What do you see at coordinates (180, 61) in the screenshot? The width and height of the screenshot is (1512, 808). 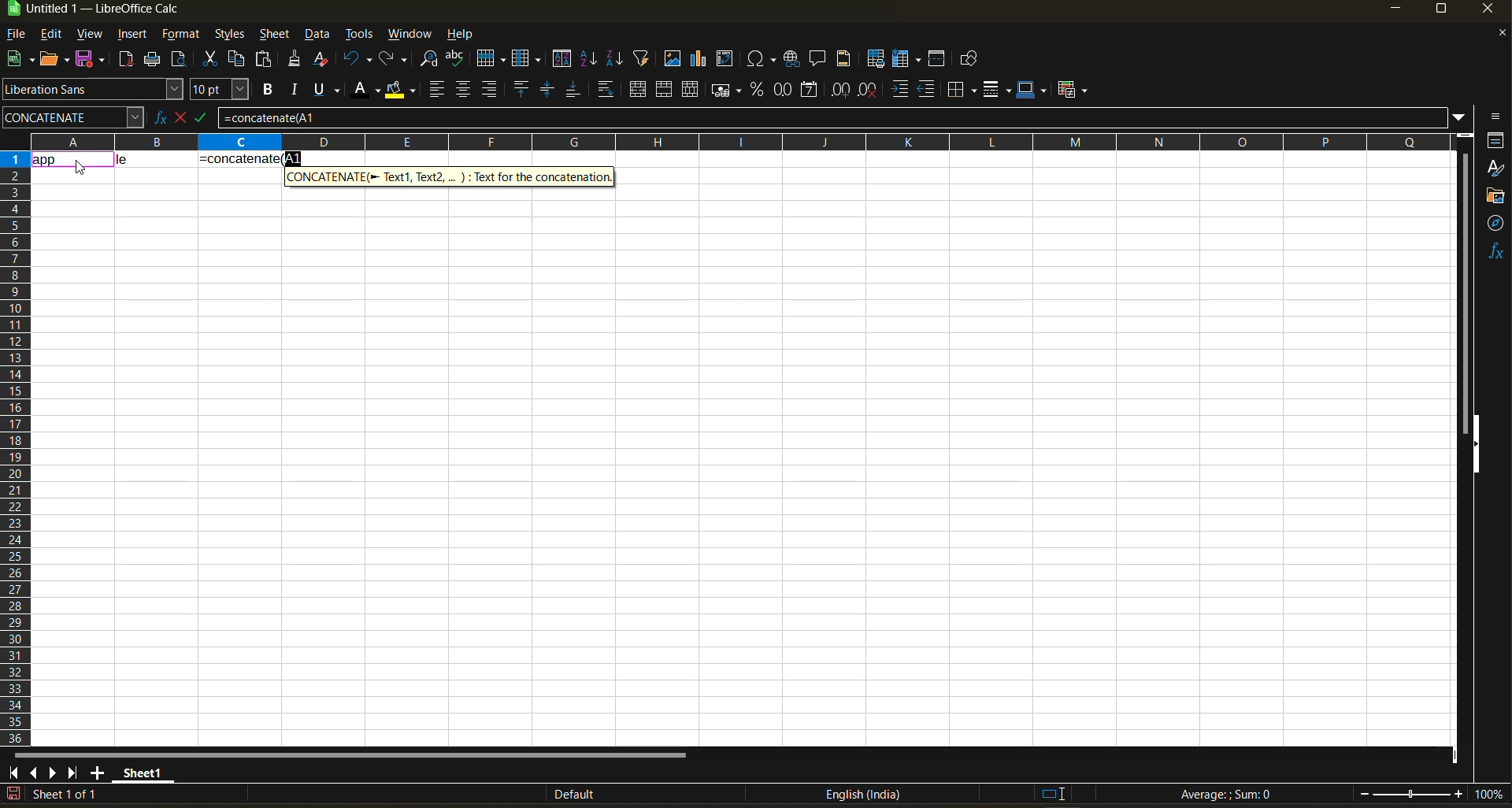 I see `toggle print preview` at bounding box center [180, 61].